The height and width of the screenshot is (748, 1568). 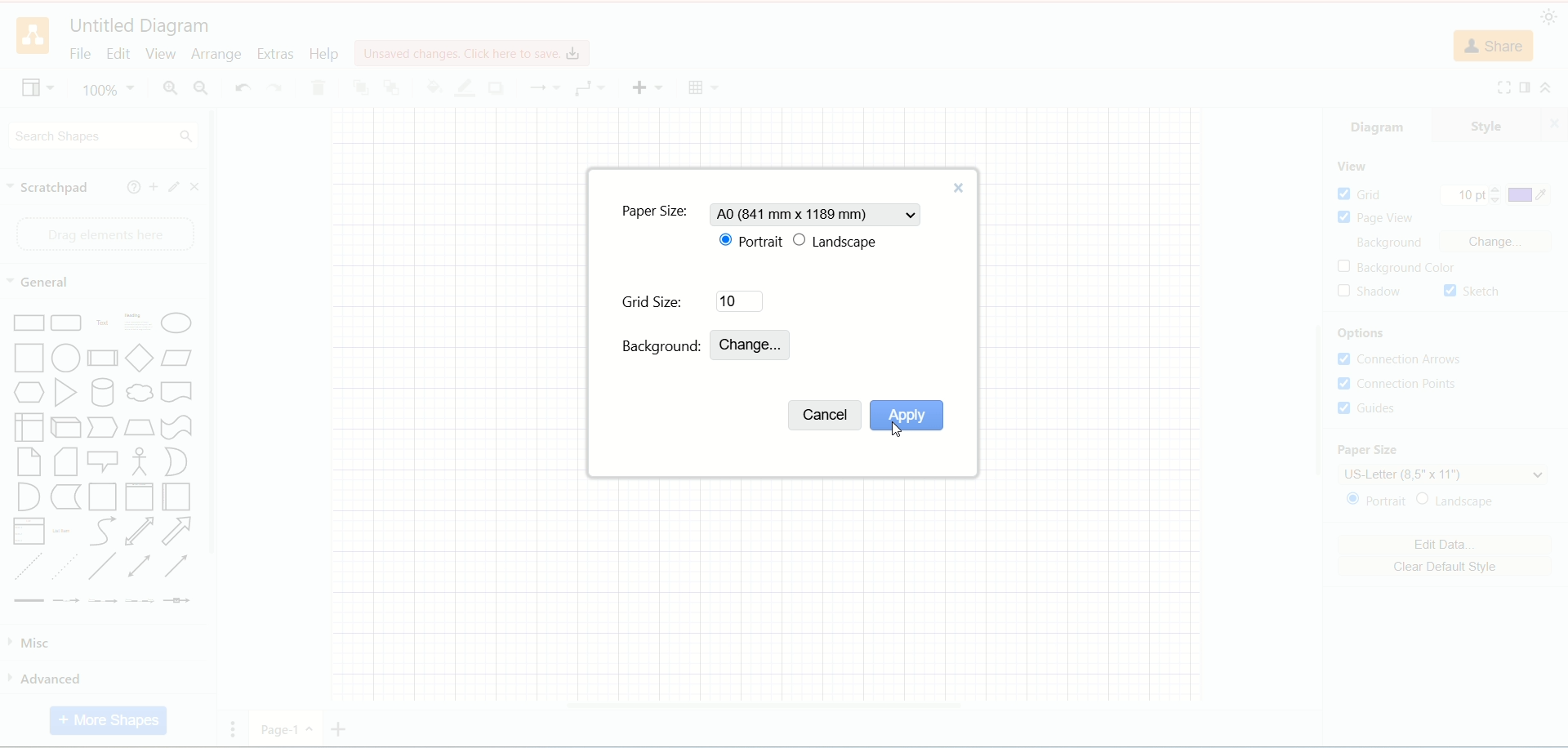 I want to click on Vertical Container, so click(x=139, y=497).